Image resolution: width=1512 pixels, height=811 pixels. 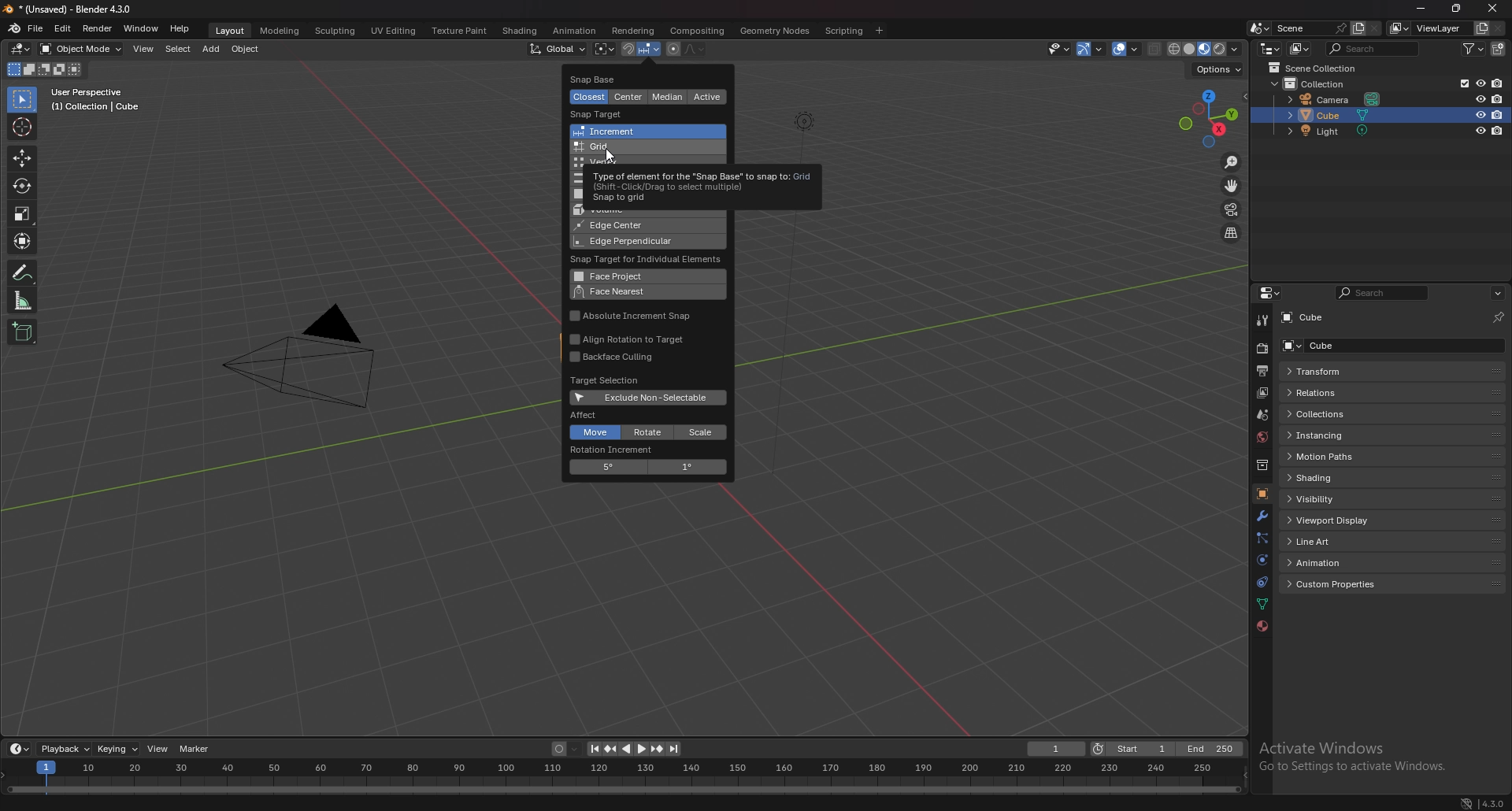 I want to click on jump to first frame, so click(x=595, y=749).